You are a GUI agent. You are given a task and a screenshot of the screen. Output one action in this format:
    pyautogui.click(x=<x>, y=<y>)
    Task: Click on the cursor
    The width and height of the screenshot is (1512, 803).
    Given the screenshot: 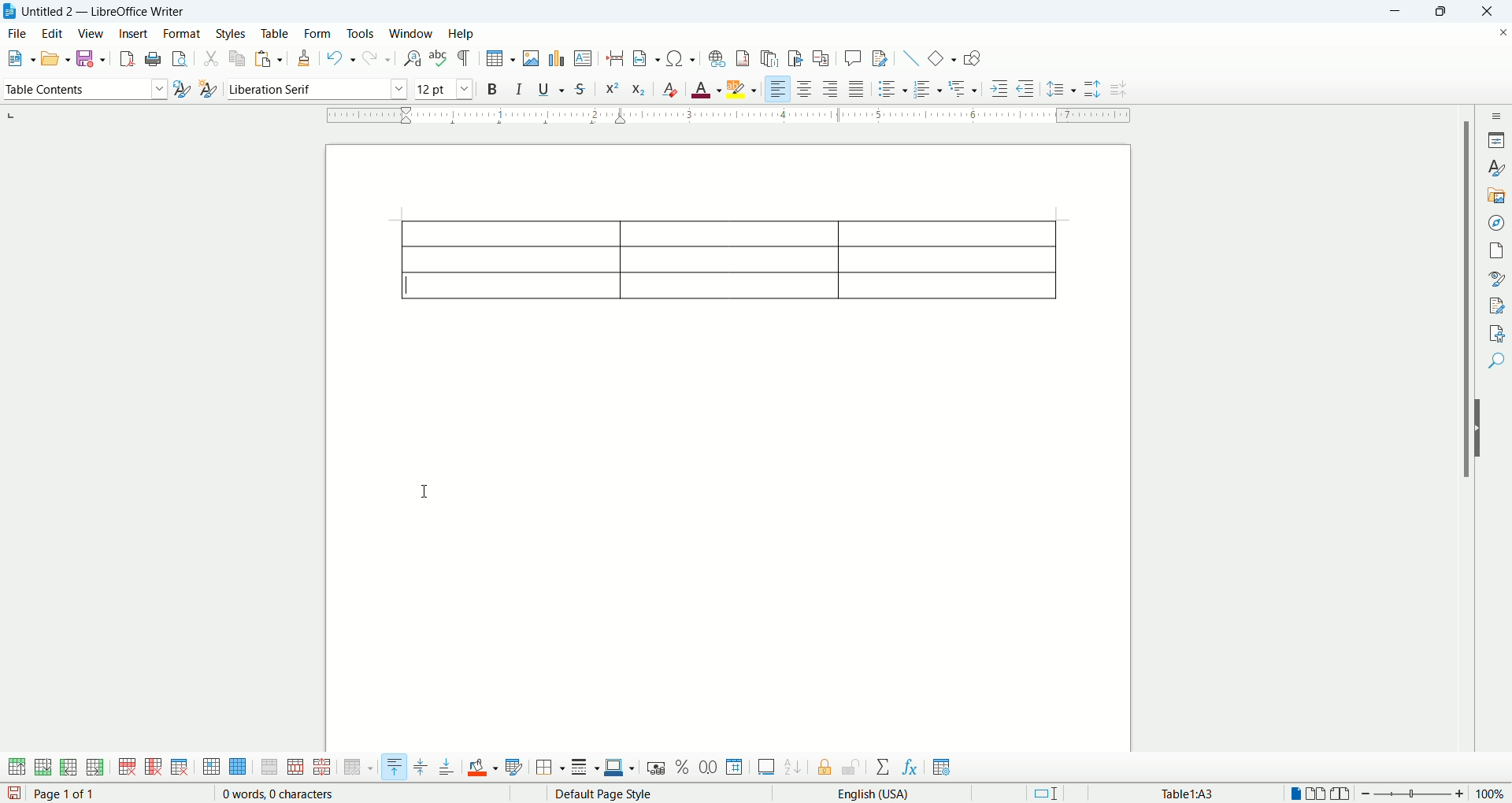 What is the action you would take?
    pyautogui.click(x=432, y=490)
    